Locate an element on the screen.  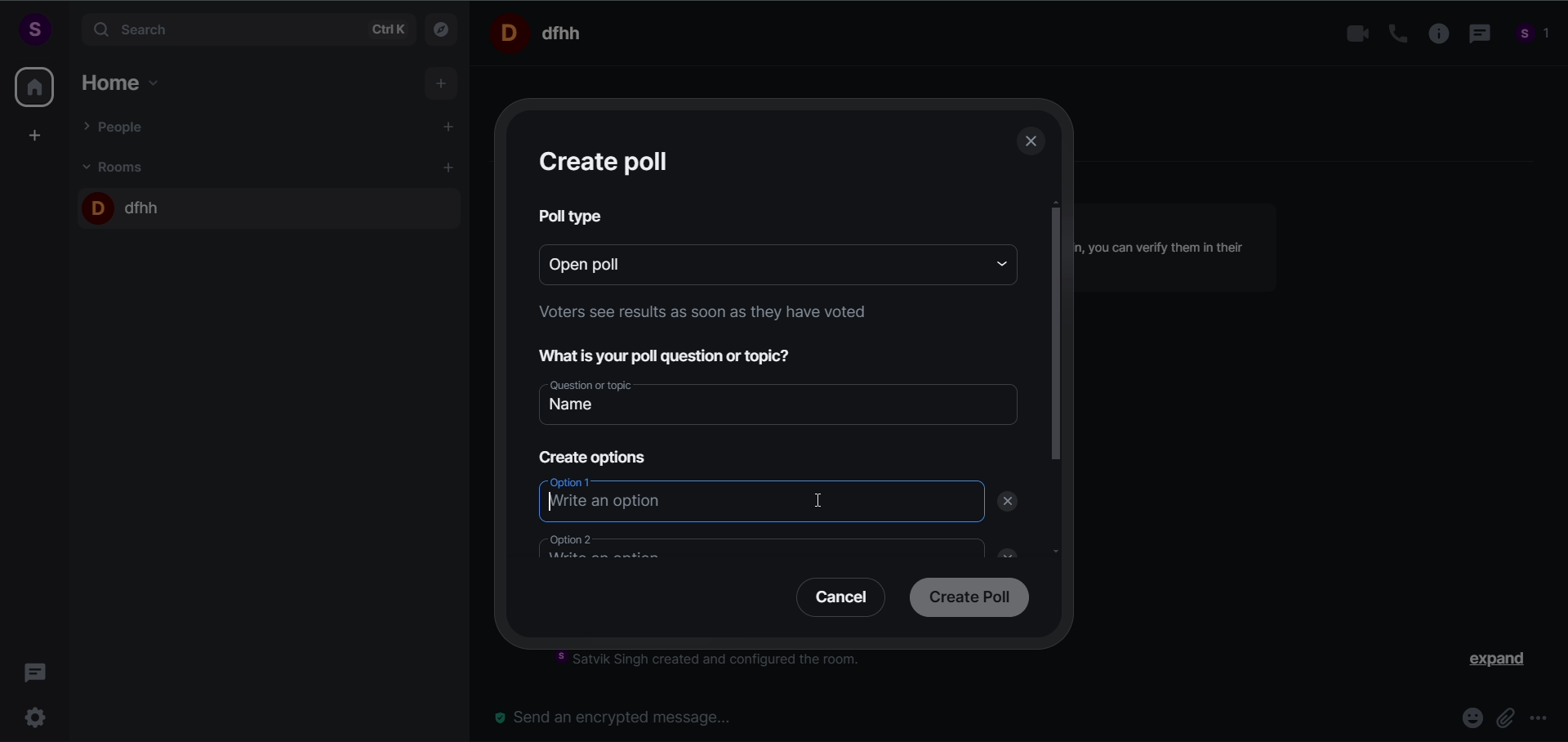
people is located at coordinates (1534, 36).